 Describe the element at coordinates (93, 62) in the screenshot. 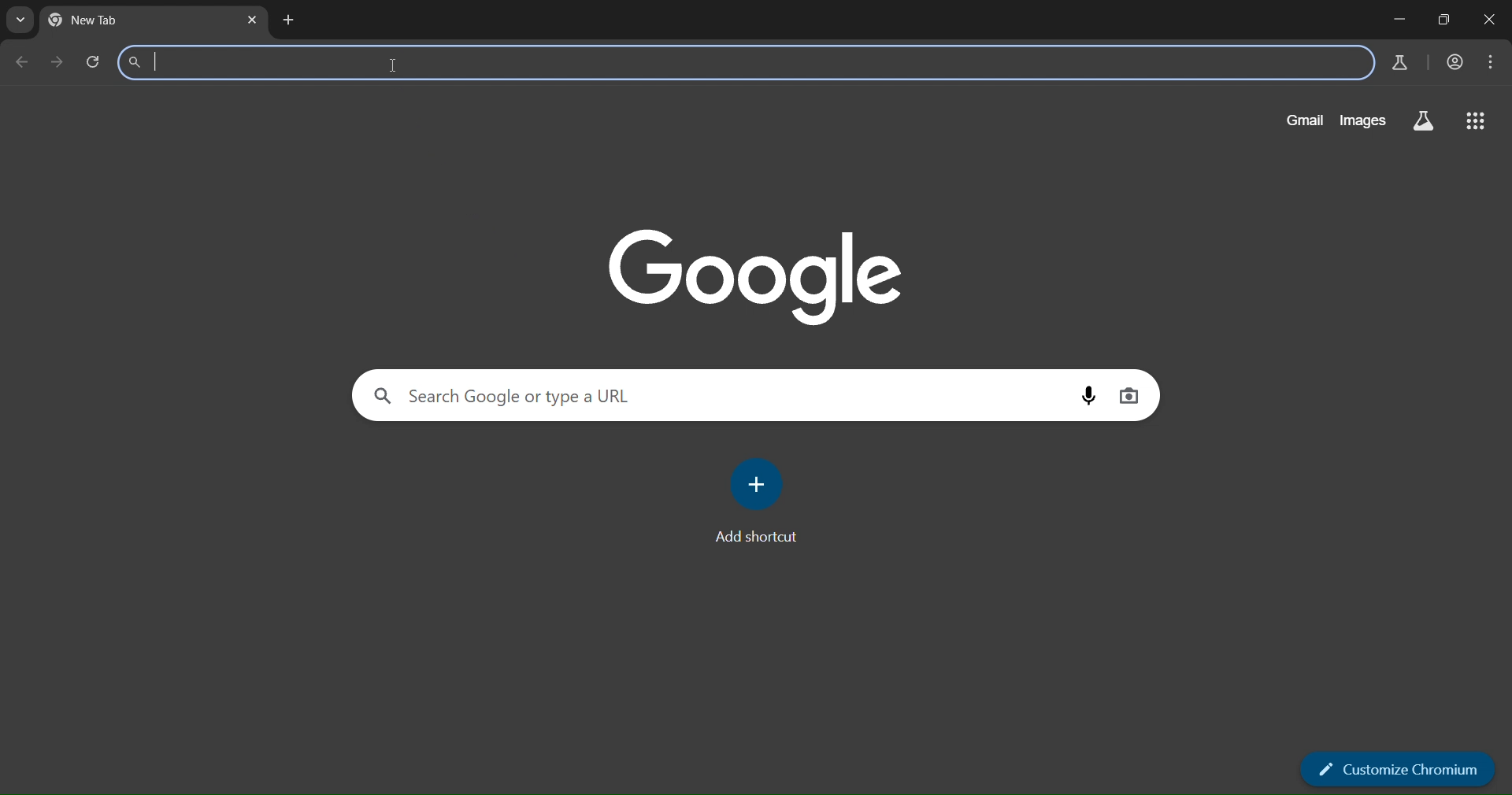

I see `reload page` at that location.